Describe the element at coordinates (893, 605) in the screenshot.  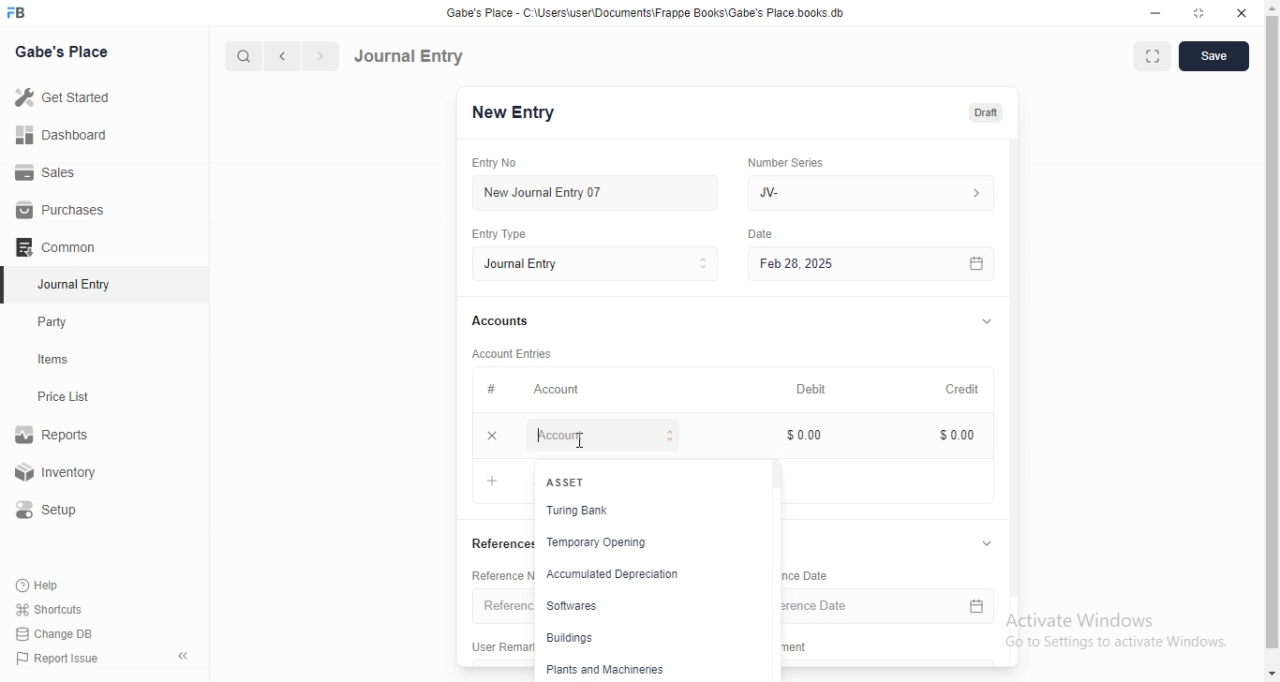
I see `Reference Date ` at that location.